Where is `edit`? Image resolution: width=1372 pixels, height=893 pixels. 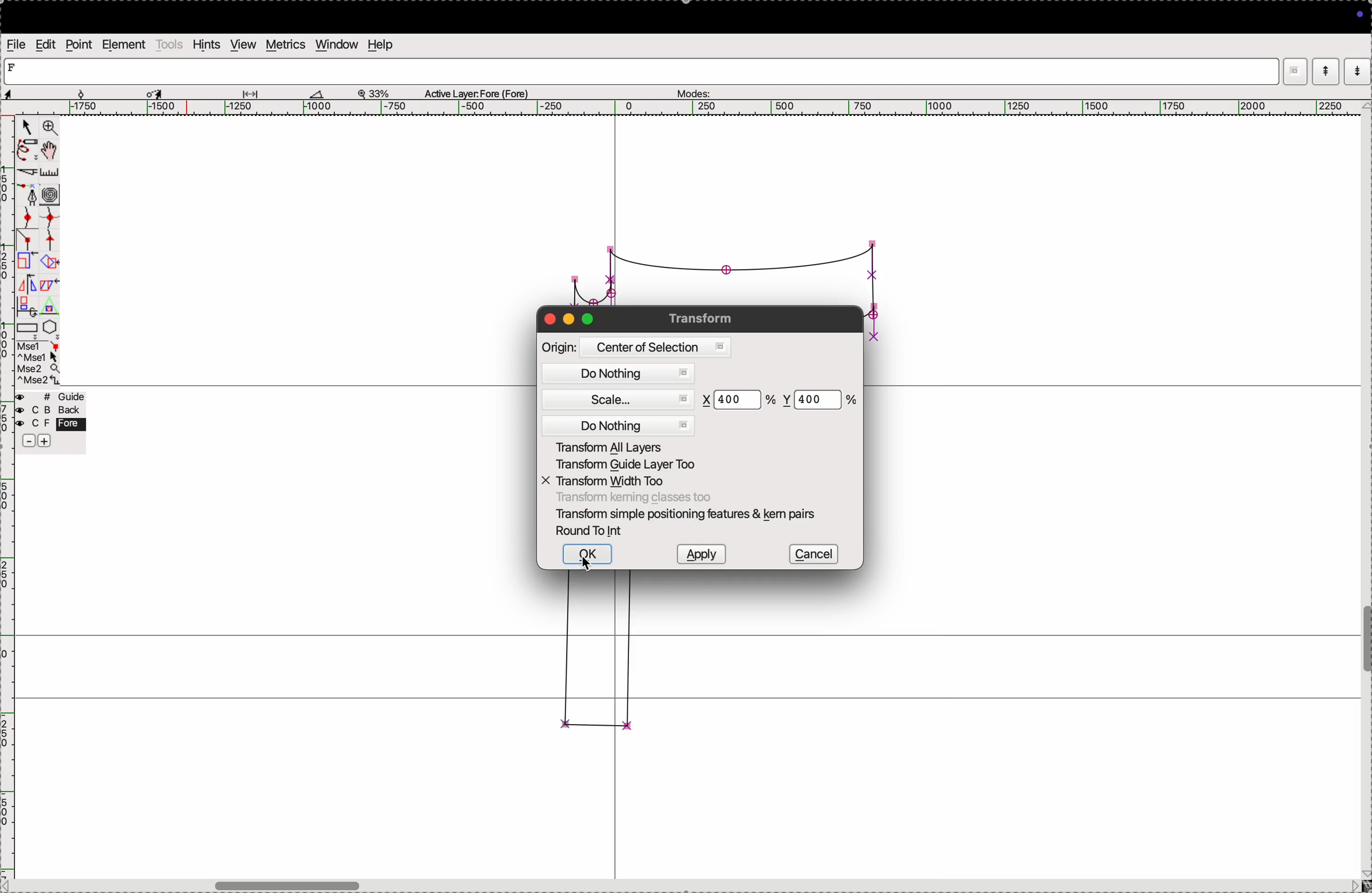
edit is located at coordinates (47, 44).